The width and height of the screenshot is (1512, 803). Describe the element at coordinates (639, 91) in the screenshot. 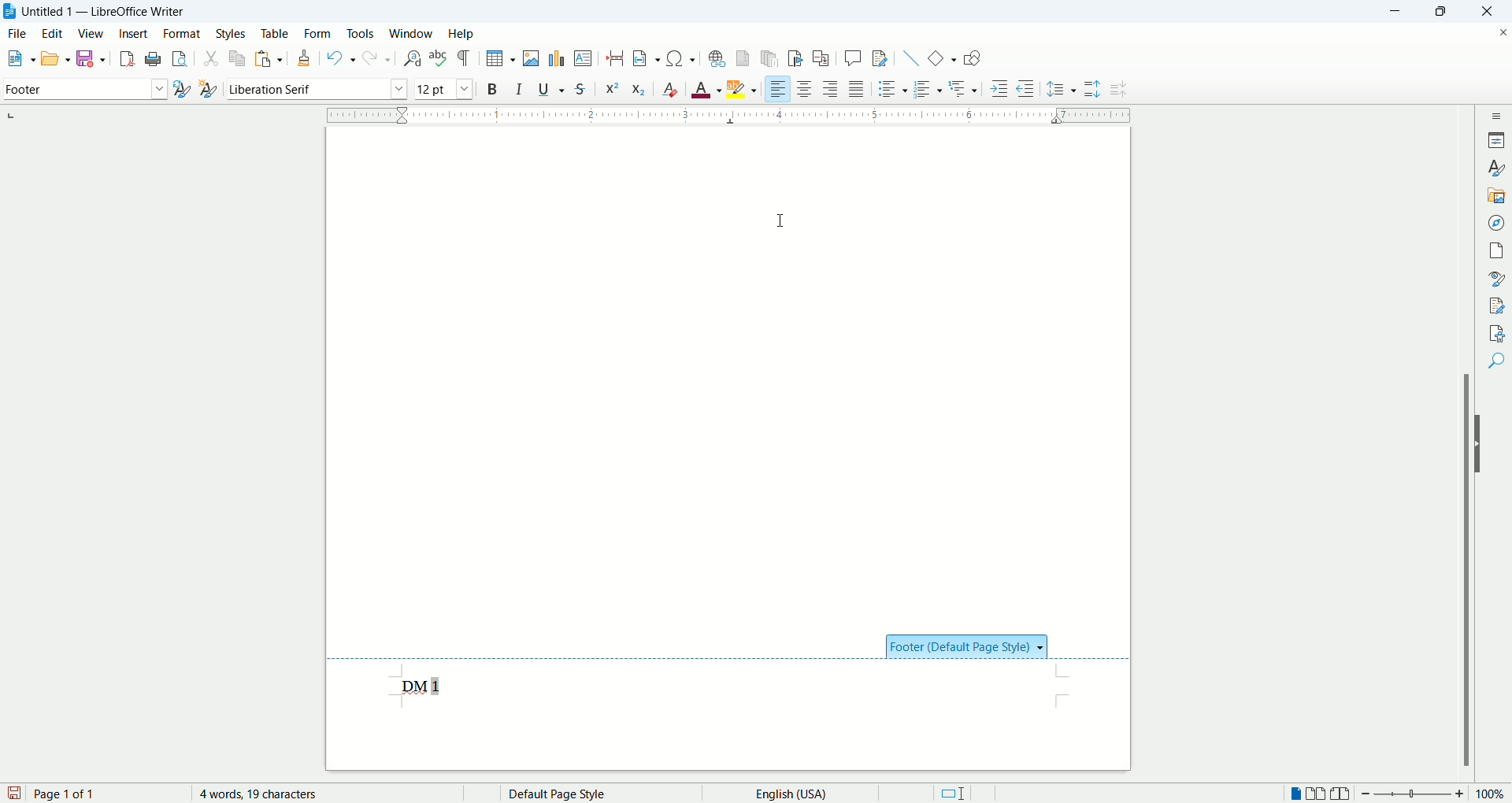

I see `subscript` at that location.